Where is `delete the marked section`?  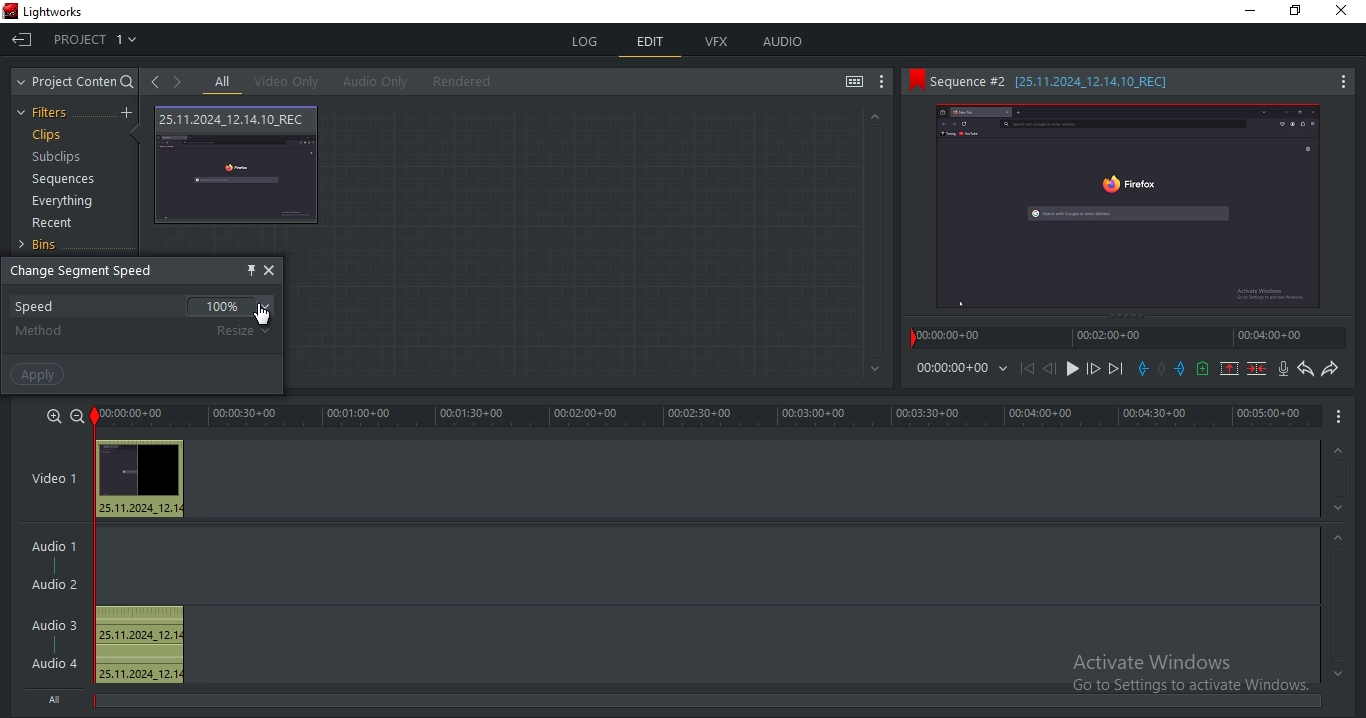
delete the marked section is located at coordinates (1257, 368).